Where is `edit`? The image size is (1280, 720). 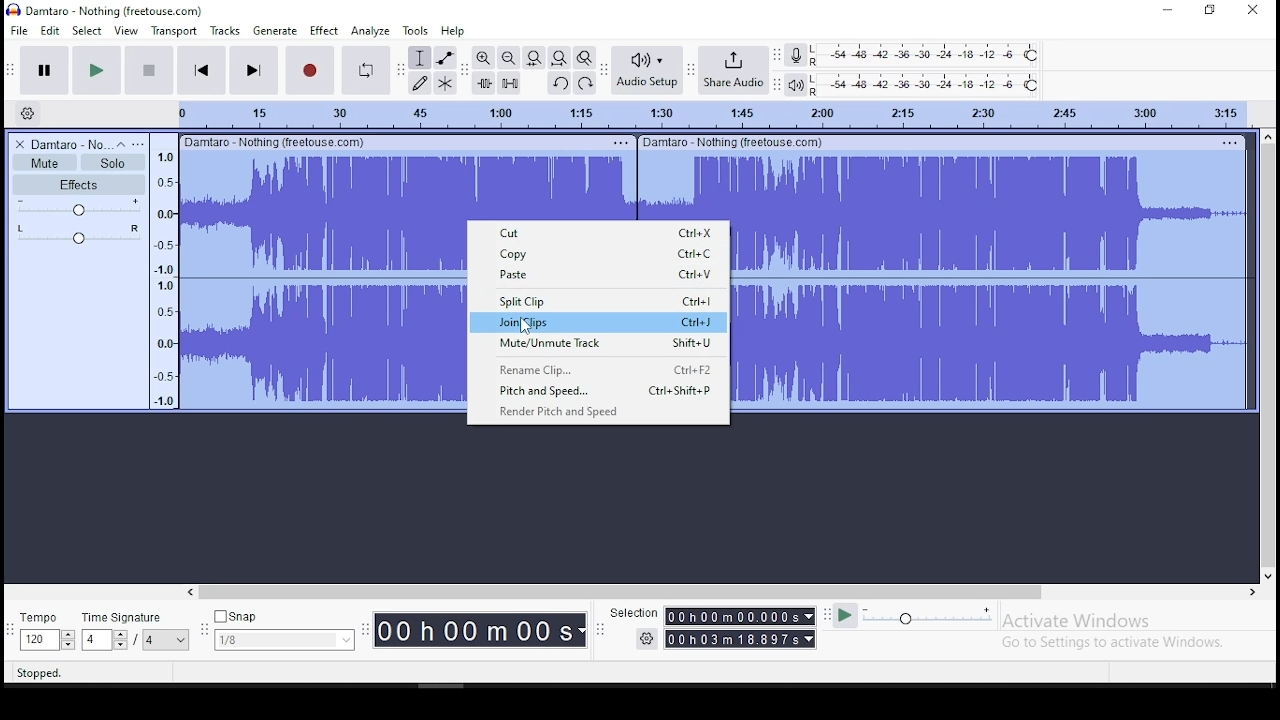 edit is located at coordinates (51, 30).